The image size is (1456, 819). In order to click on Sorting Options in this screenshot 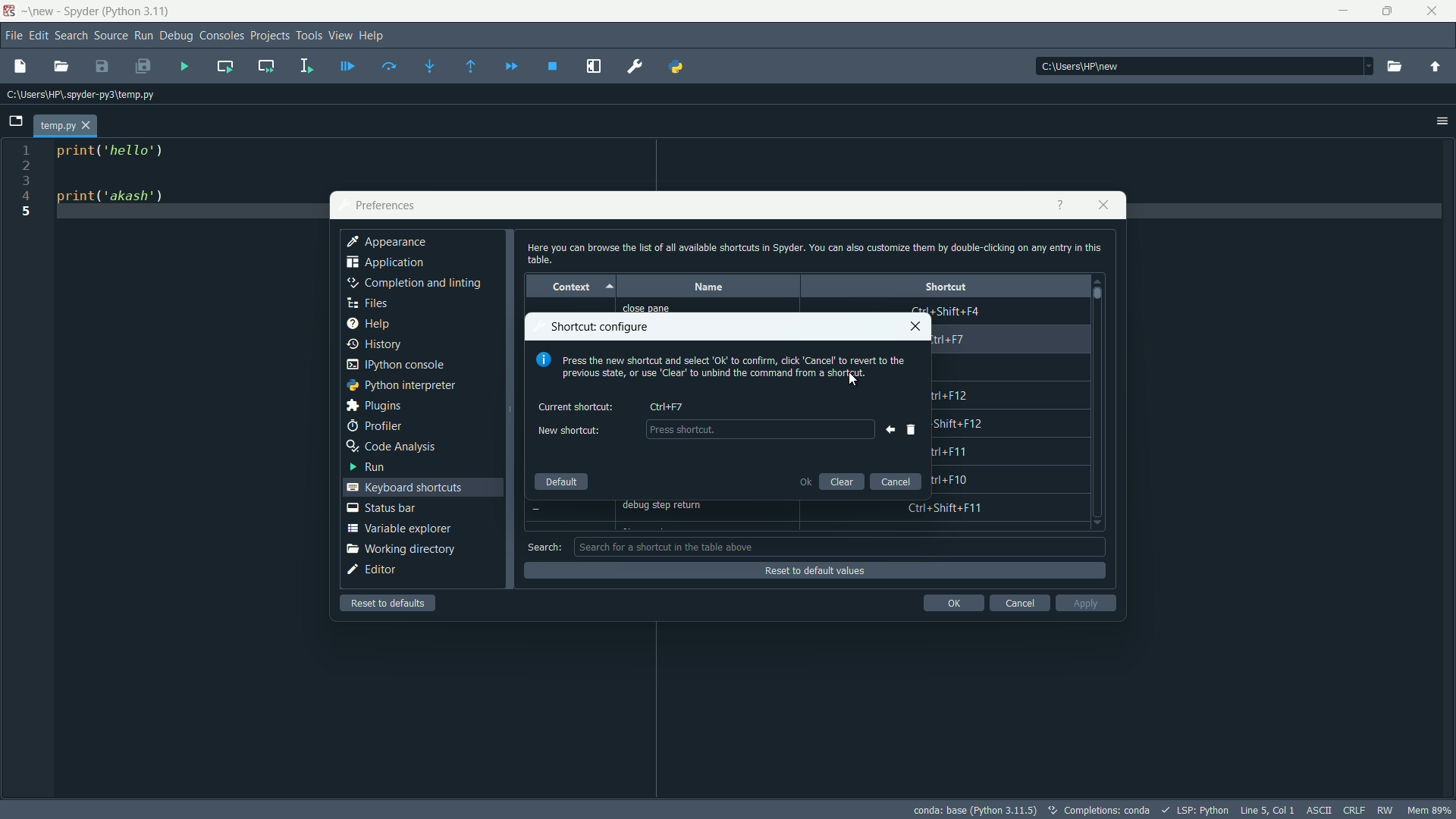, I will do `click(612, 287)`.